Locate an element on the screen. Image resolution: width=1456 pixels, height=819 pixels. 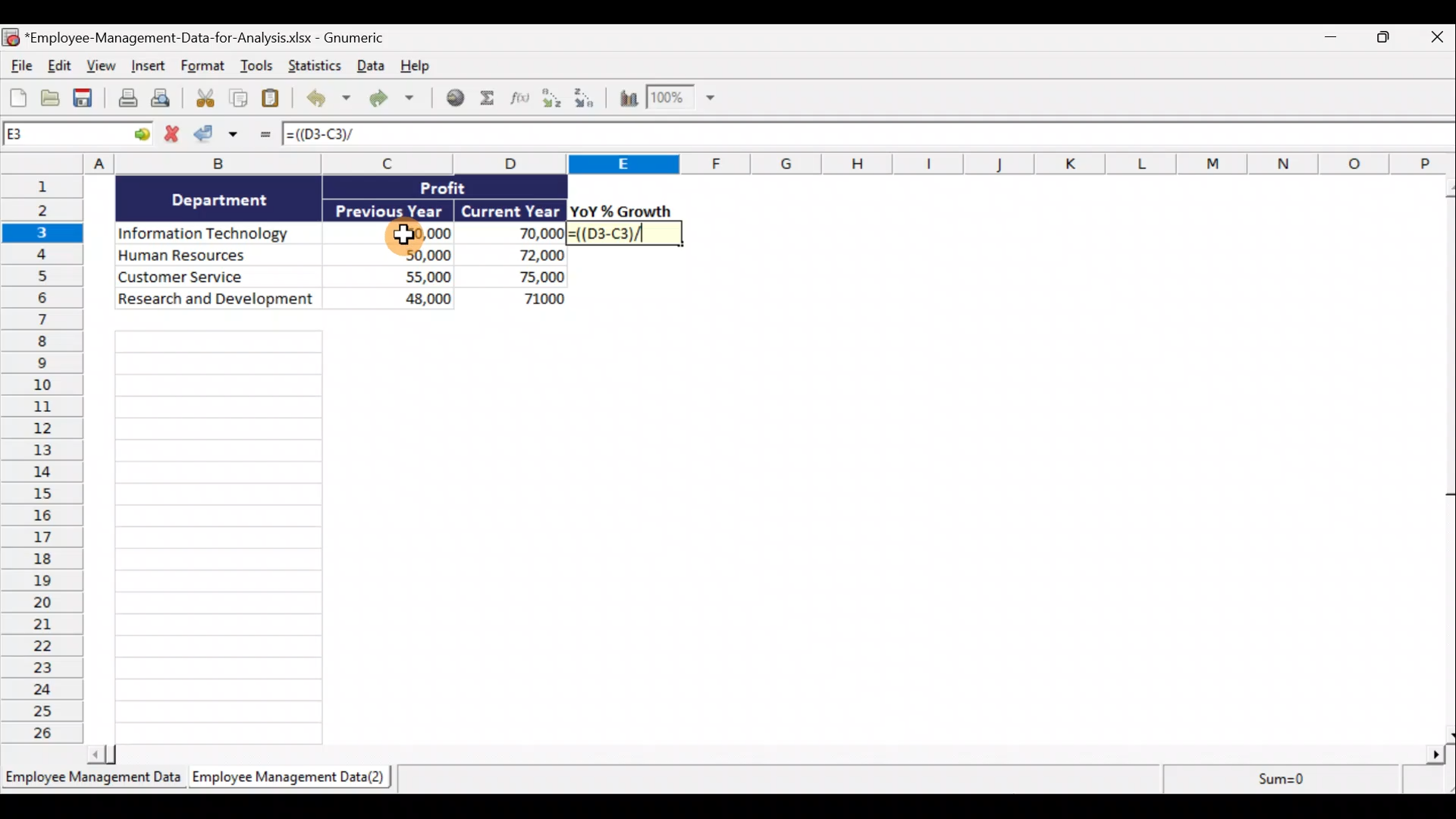
Tools is located at coordinates (259, 68).